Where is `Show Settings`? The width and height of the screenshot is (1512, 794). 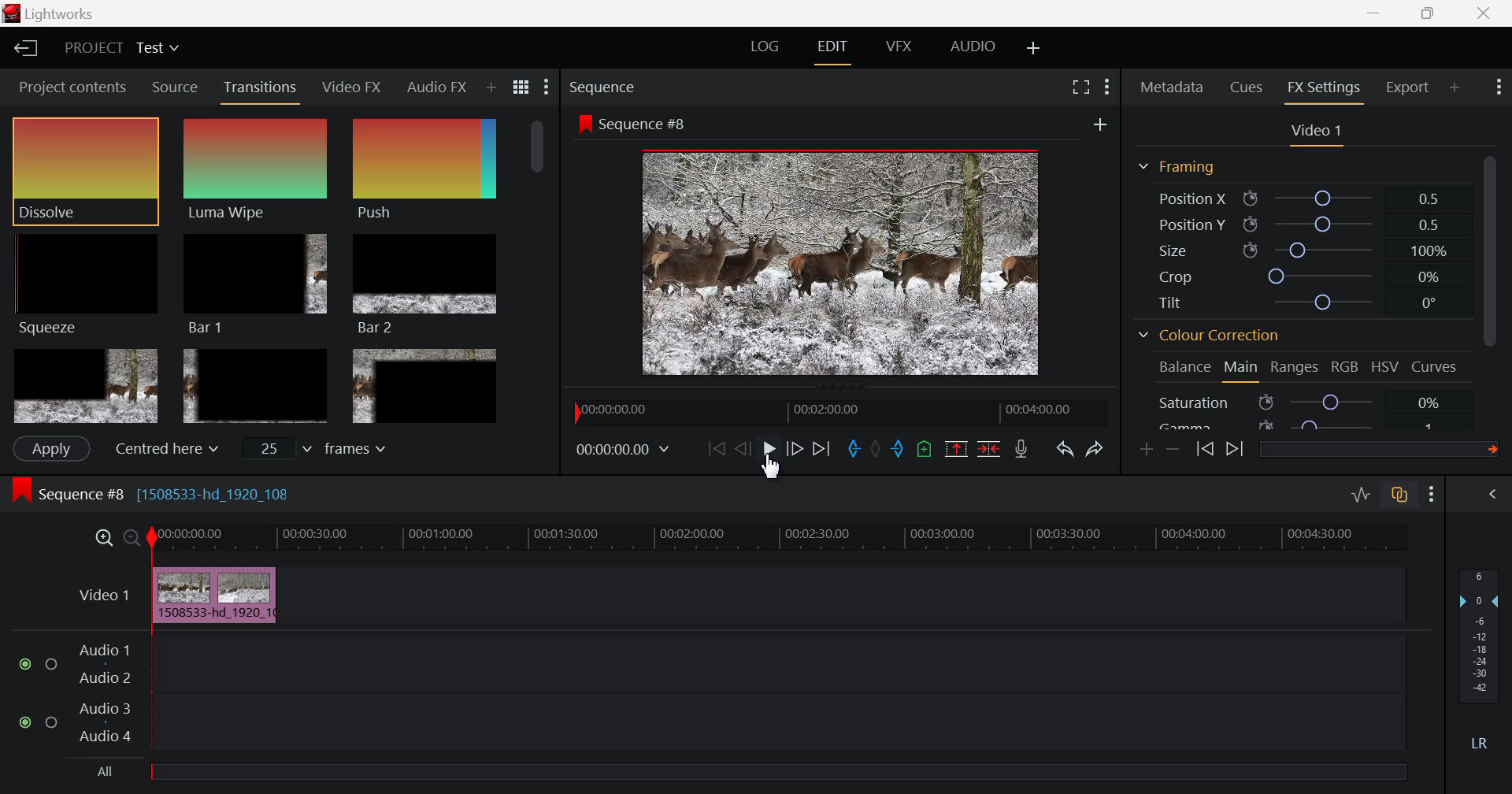
Show Settings is located at coordinates (548, 87).